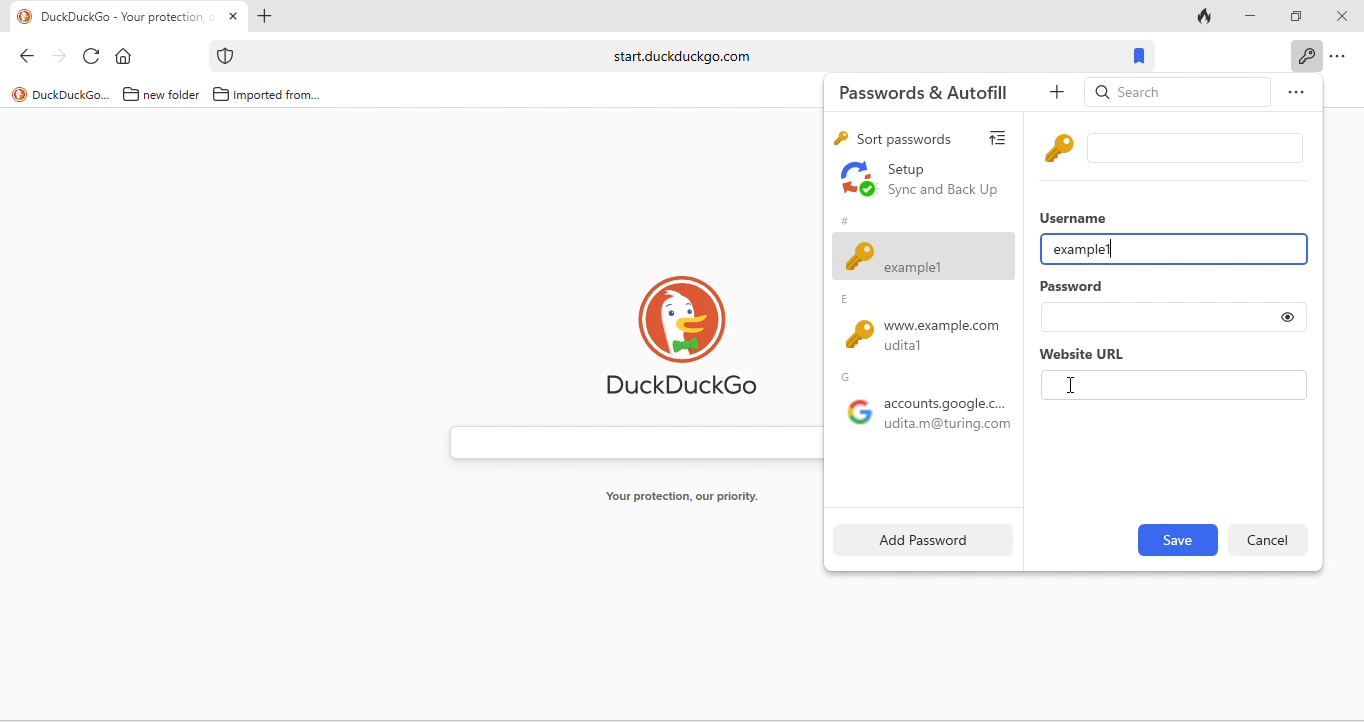  Describe the element at coordinates (1178, 94) in the screenshot. I see `search` at that location.